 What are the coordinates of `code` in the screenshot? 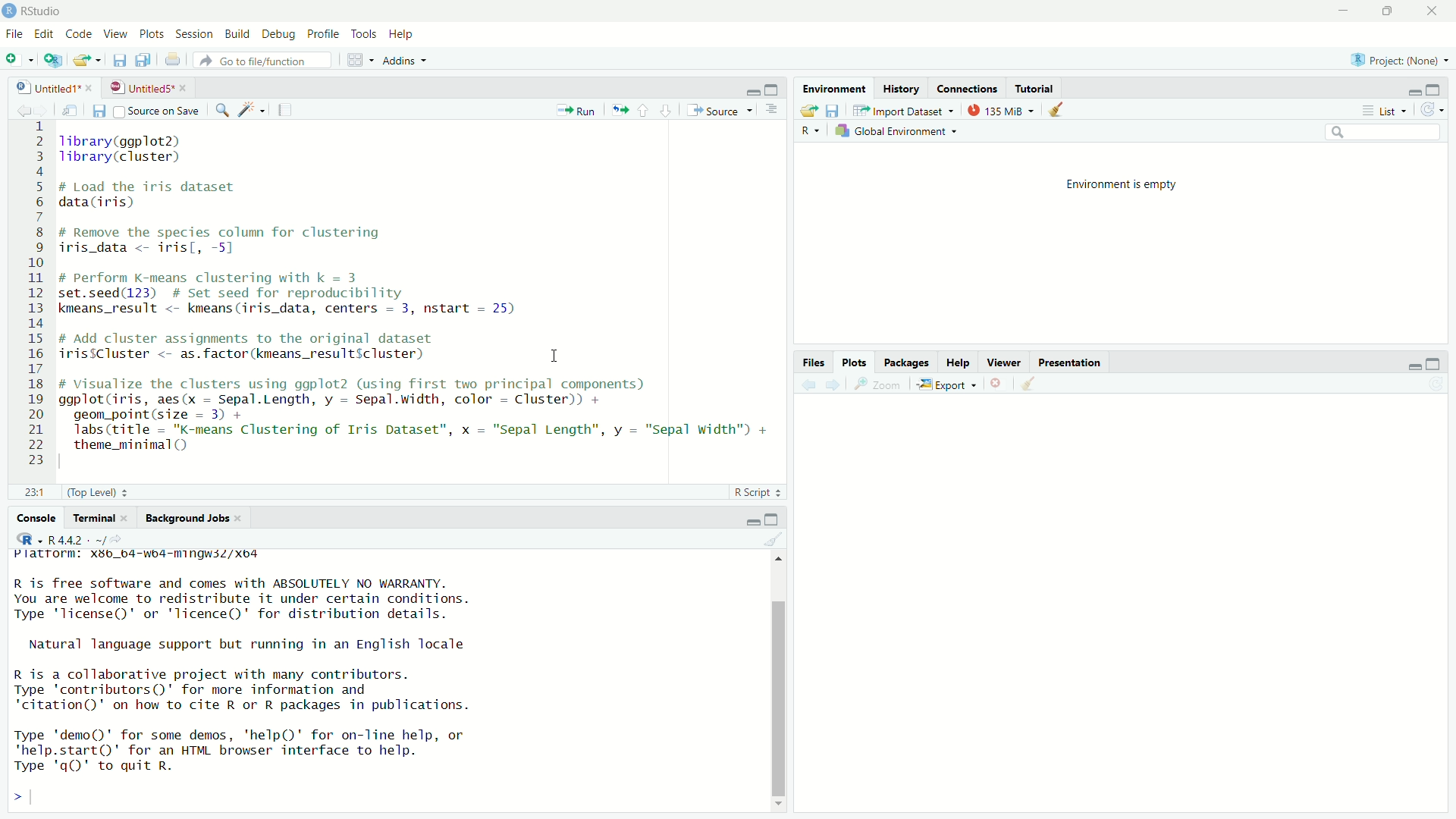 It's located at (77, 33).